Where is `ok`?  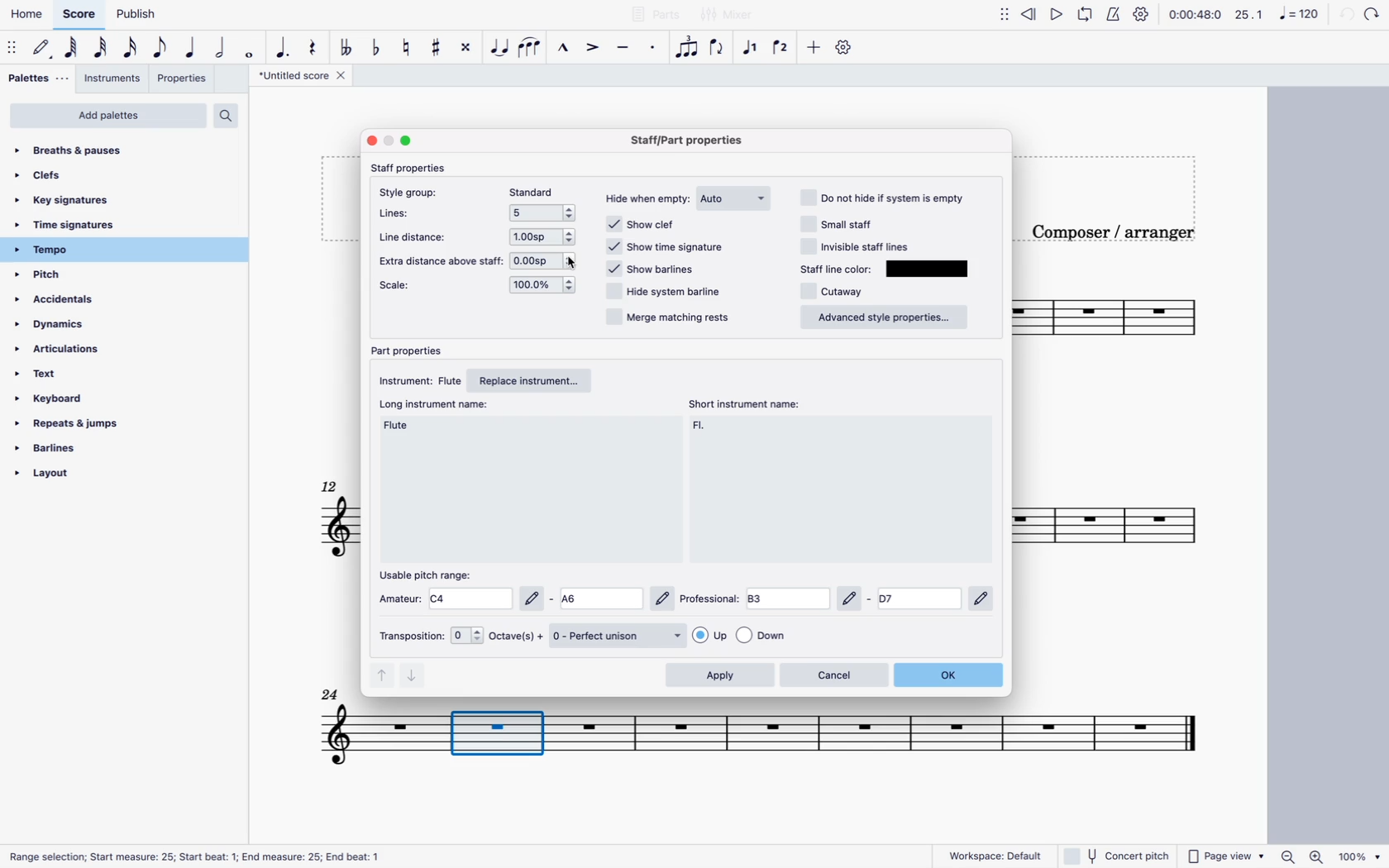 ok is located at coordinates (952, 674).